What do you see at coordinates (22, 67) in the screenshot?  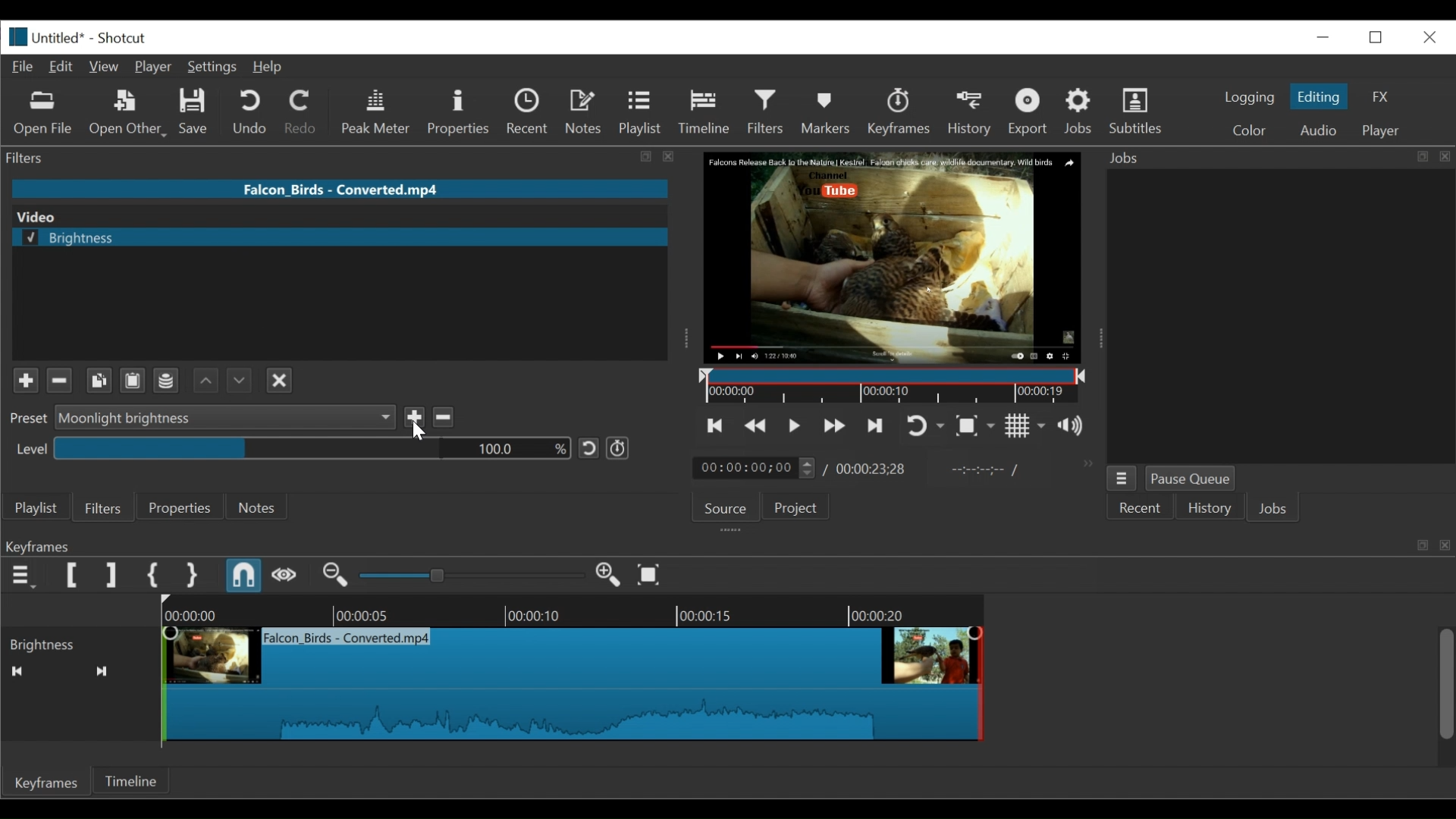 I see `File` at bounding box center [22, 67].